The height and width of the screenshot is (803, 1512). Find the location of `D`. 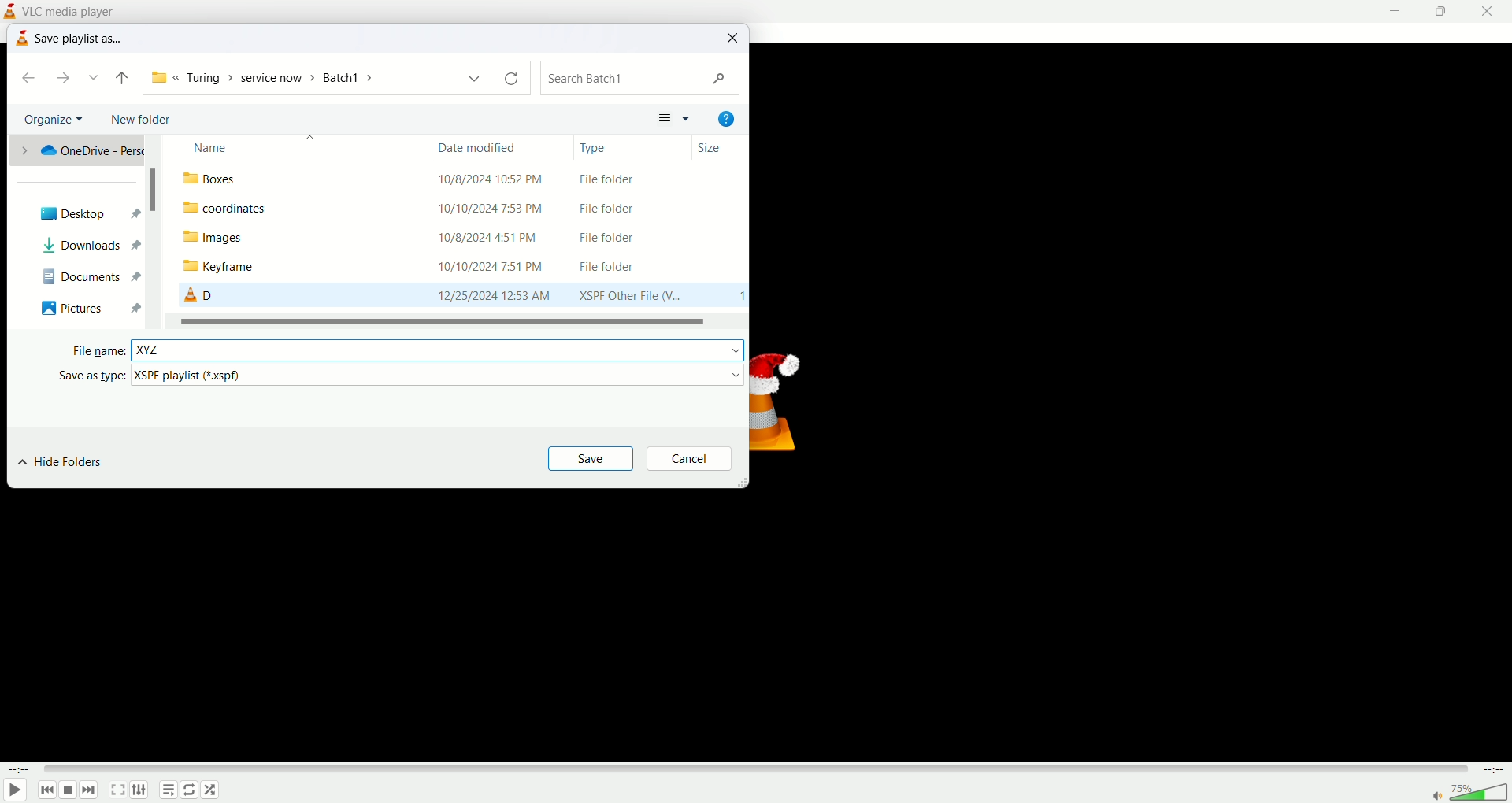

D is located at coordinates (198, 294).